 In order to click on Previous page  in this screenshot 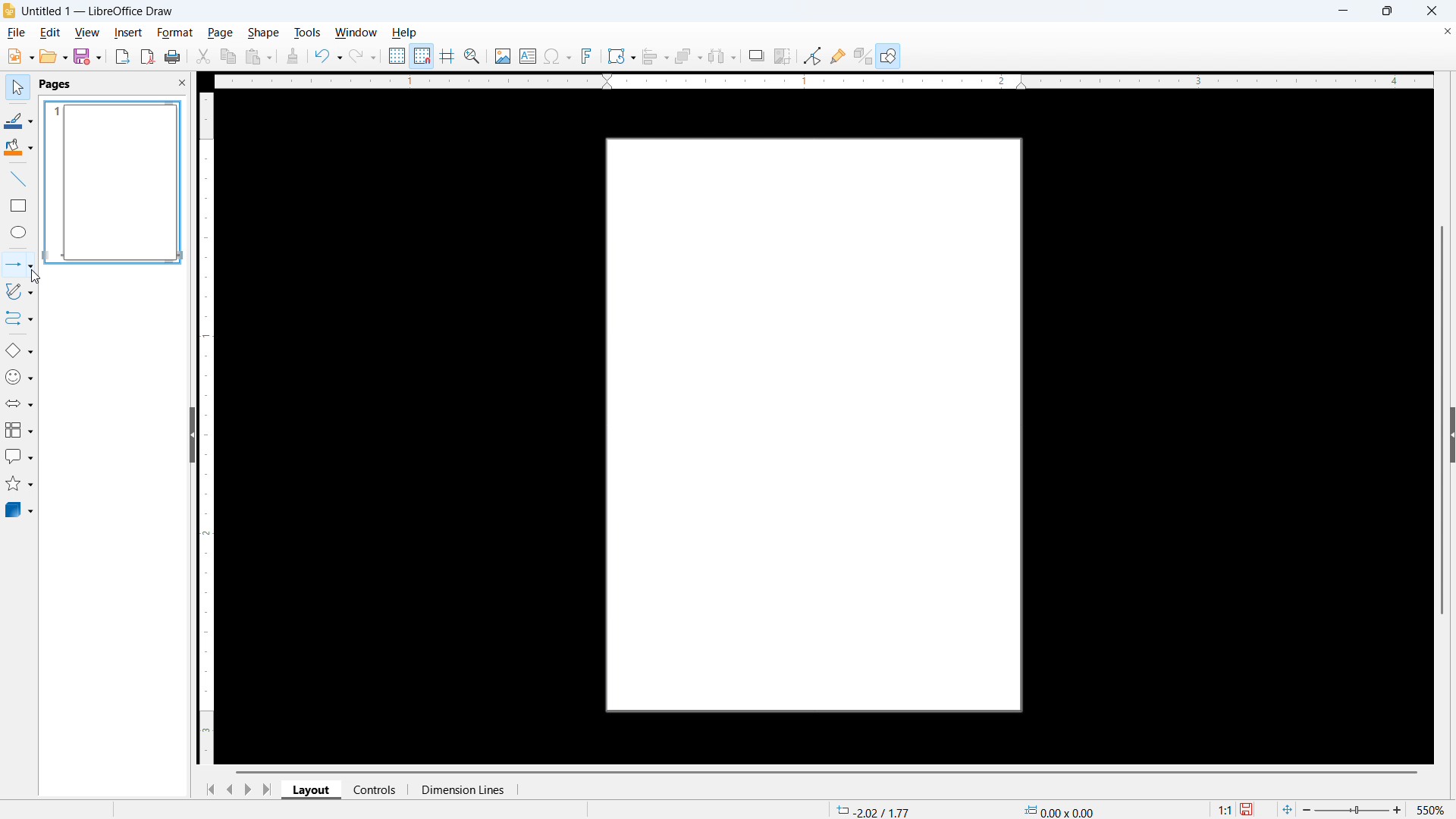, I will do `click(229, 789)`.